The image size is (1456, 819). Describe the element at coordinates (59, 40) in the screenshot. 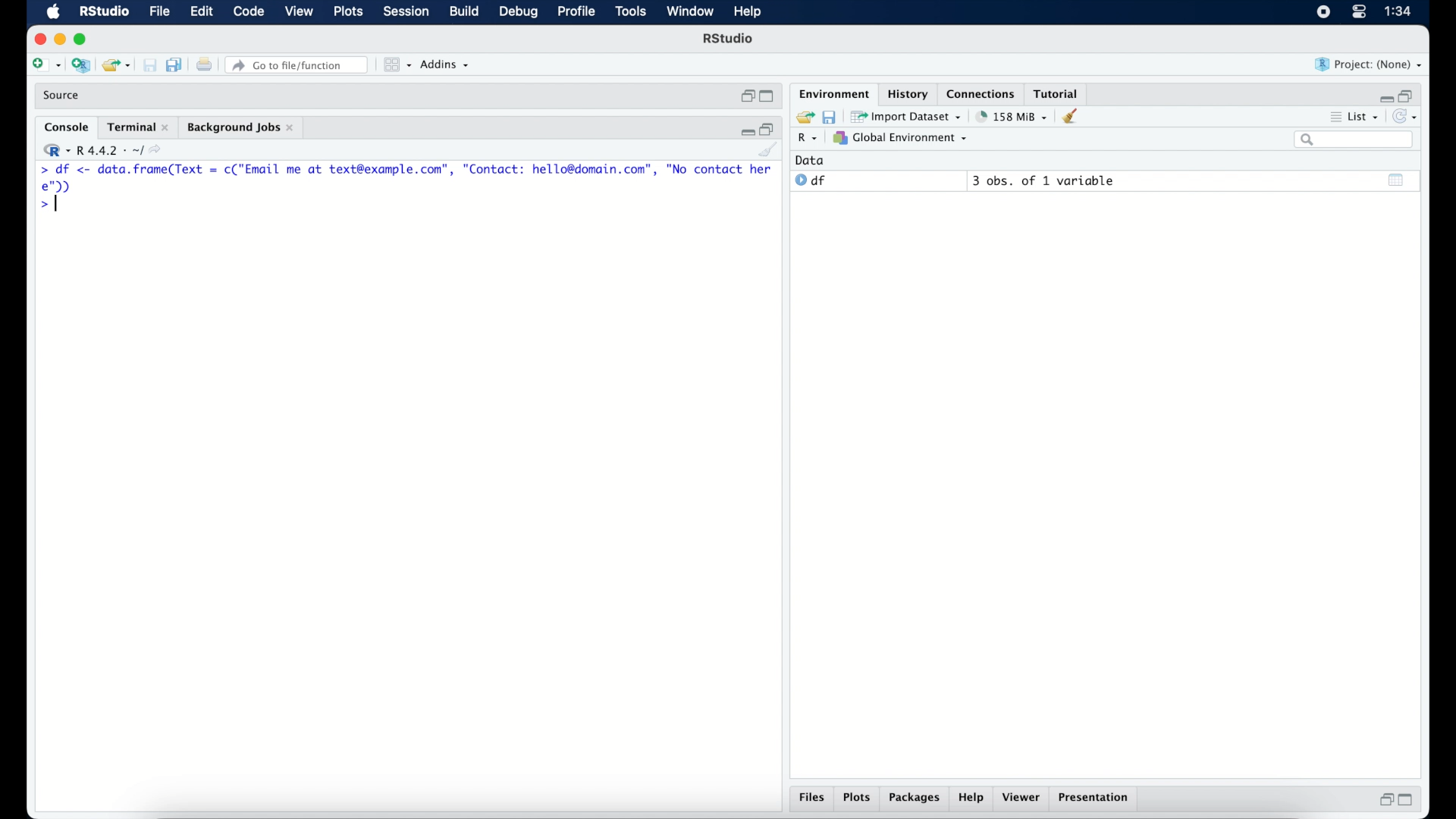

I see `minimize` at that location.